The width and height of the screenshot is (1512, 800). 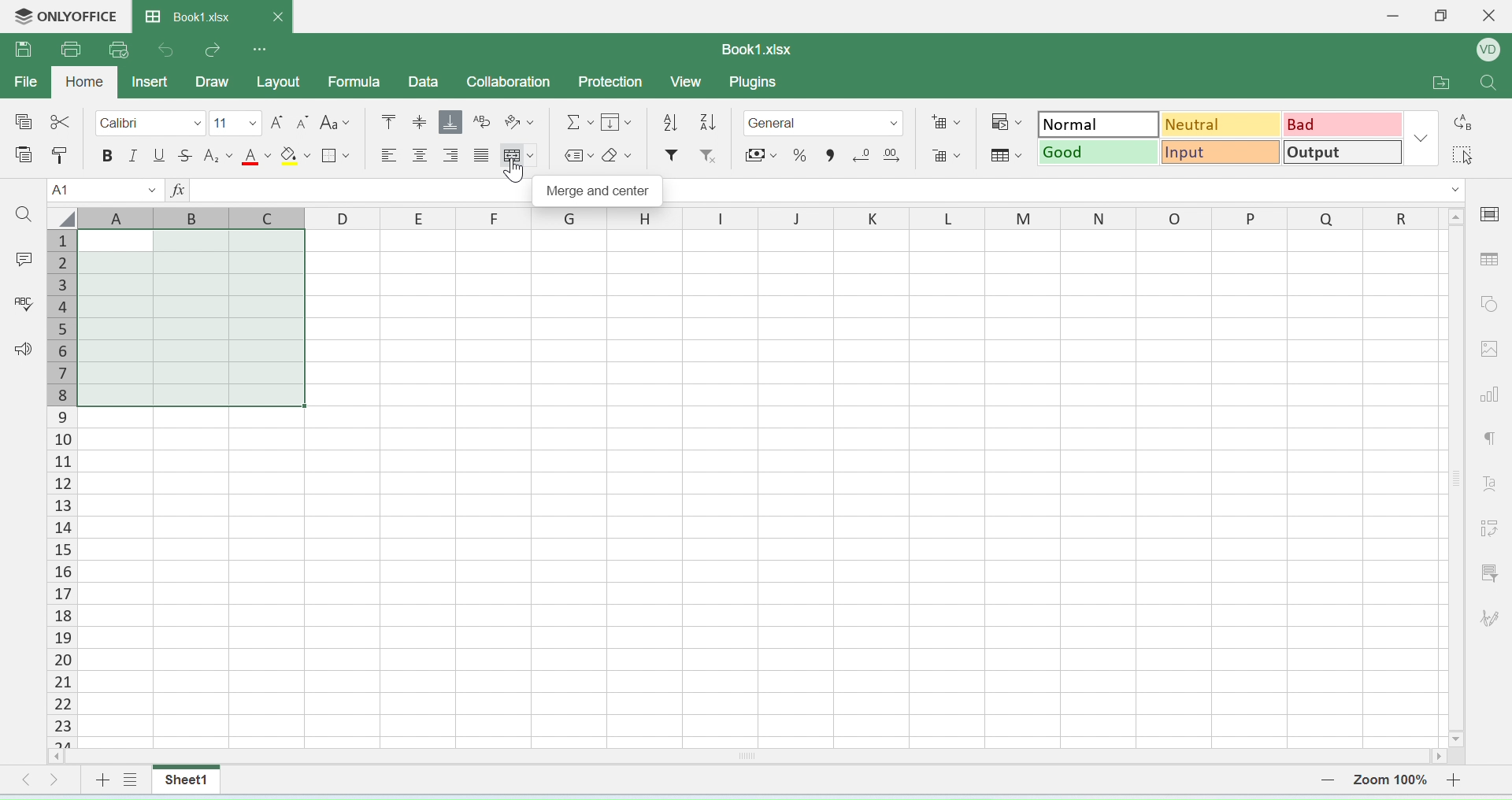 I want to click on zoom out, so click(x=1325, y=779).